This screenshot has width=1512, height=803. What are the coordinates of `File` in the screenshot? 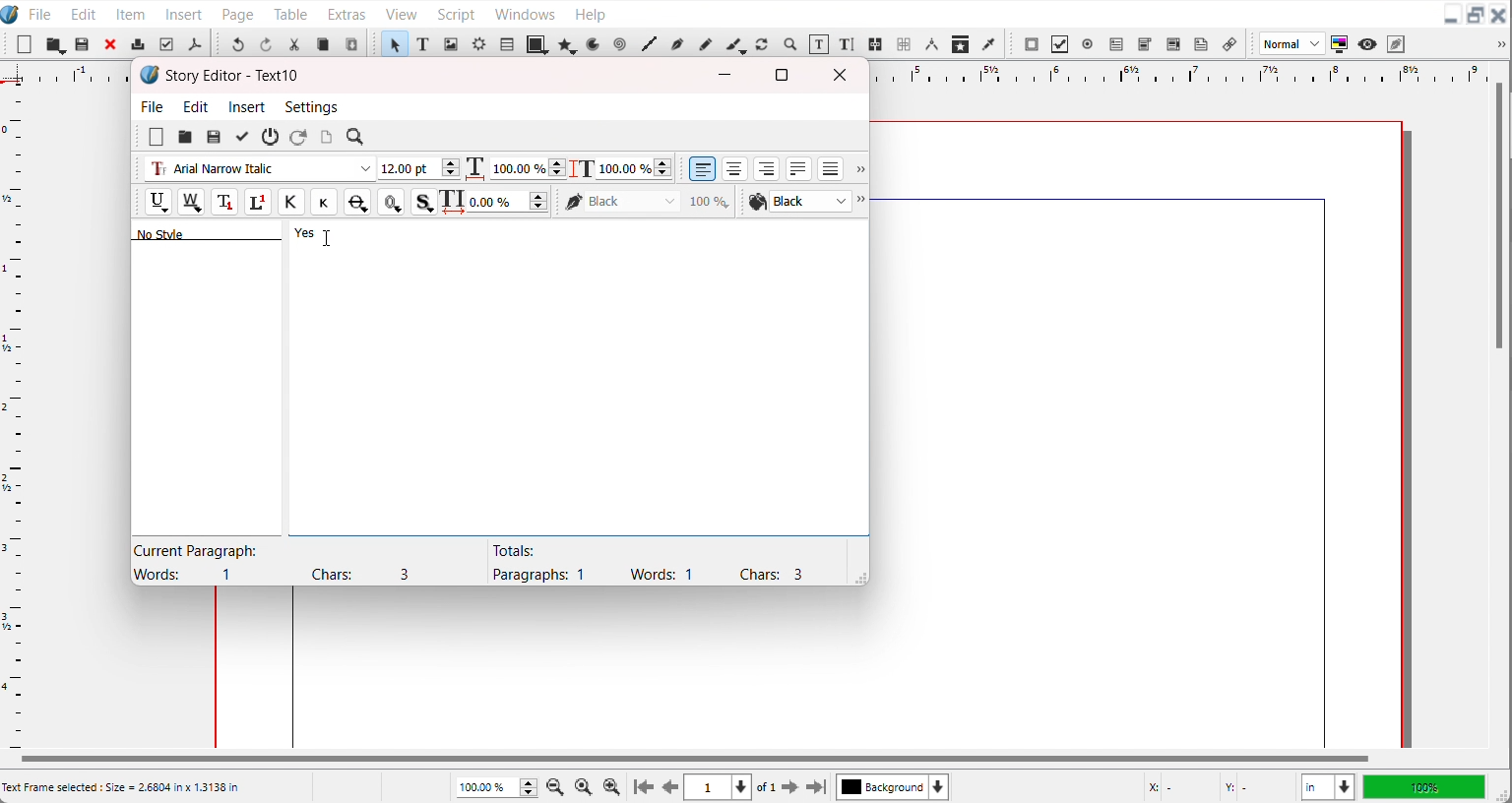 It's located at (154, 105).